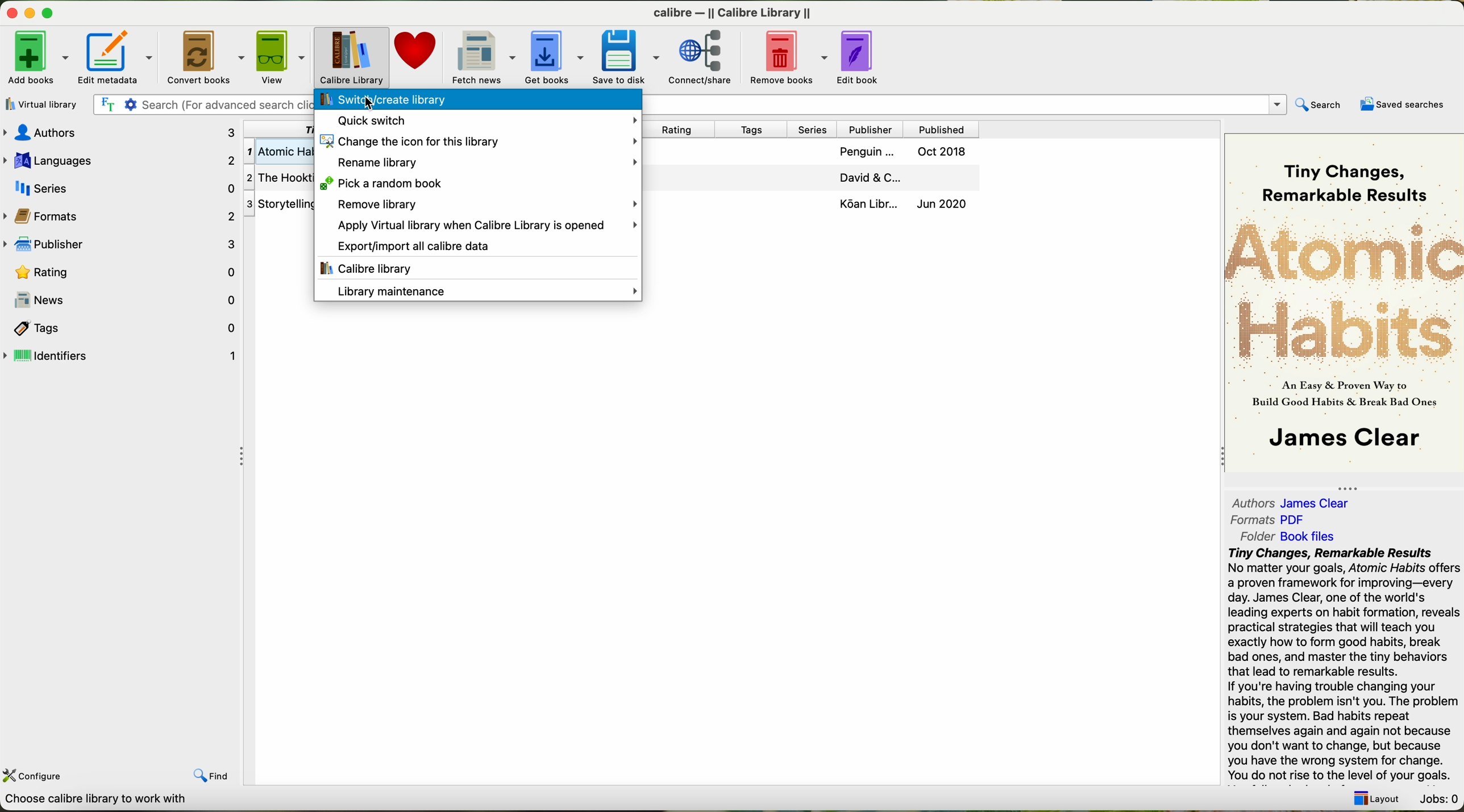 Image resolution: width=1464 pixels, height=812 pixels. I want to click on remove library, so click(482, 205).